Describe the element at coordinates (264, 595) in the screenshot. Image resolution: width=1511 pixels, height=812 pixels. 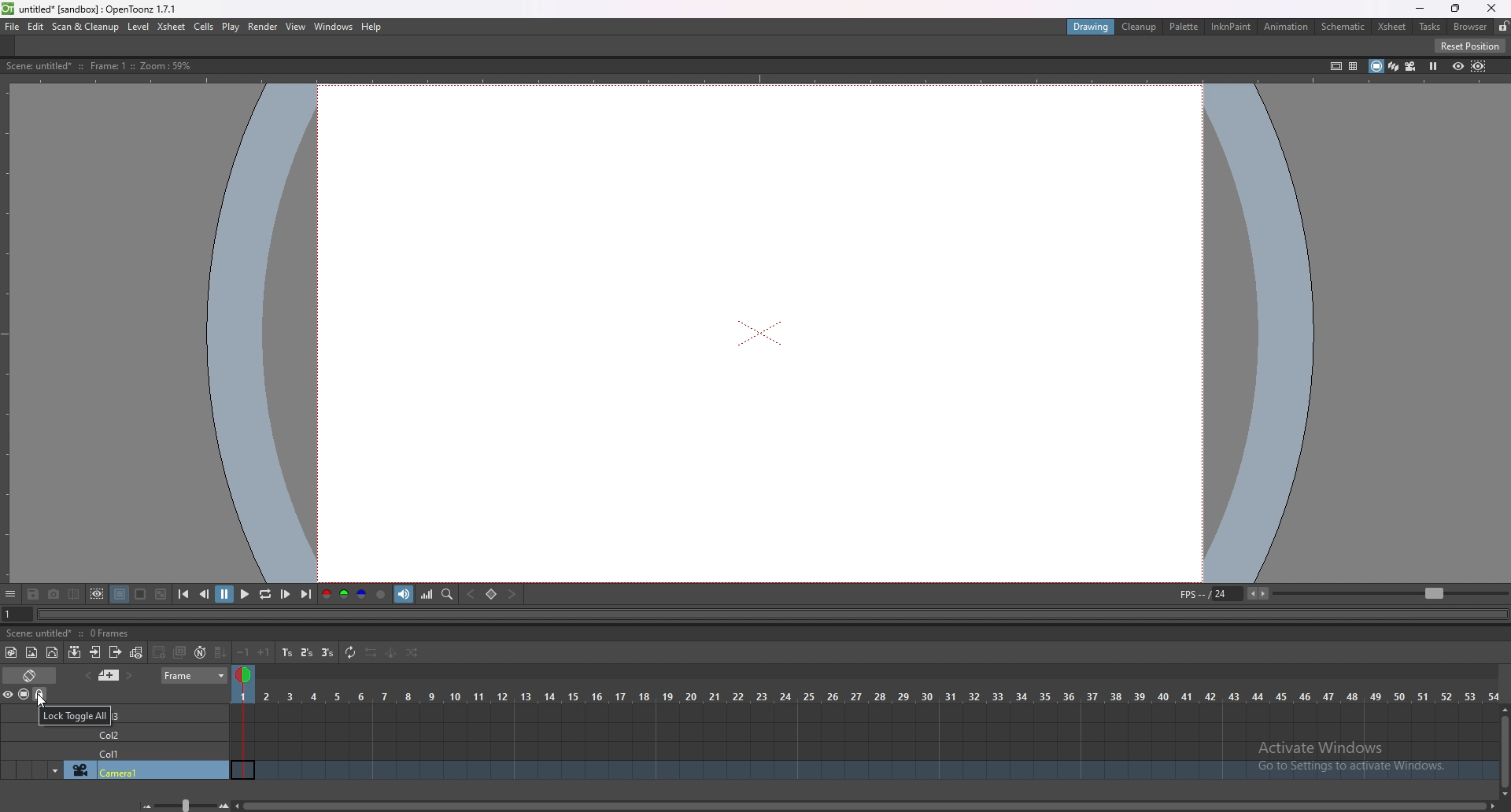
I see `loop` at that location.